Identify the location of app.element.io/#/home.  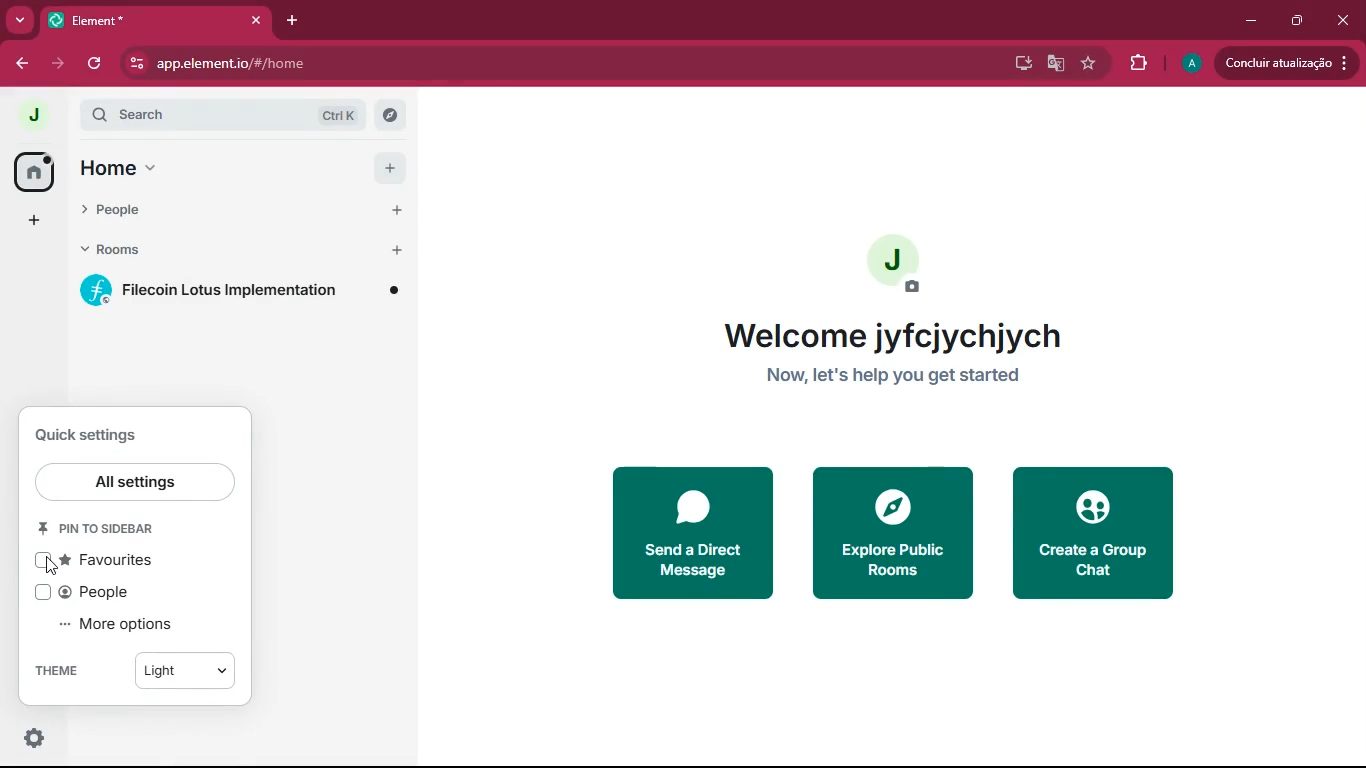
(218, 63).